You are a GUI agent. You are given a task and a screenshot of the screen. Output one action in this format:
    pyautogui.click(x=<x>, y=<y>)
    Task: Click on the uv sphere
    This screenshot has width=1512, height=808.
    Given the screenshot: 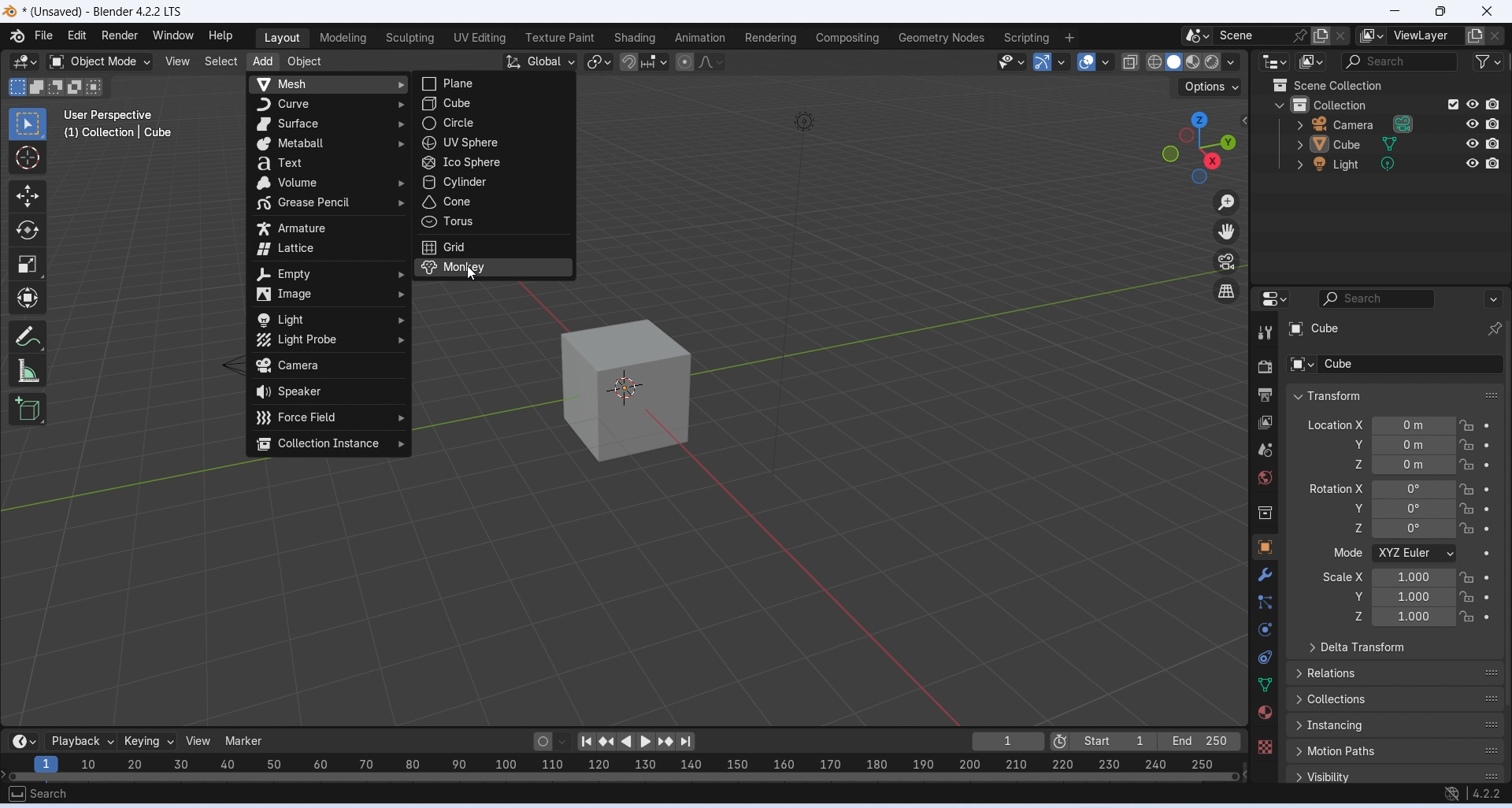 What is the action you would take?
    pyautogui.click(x=494, y=143)
    